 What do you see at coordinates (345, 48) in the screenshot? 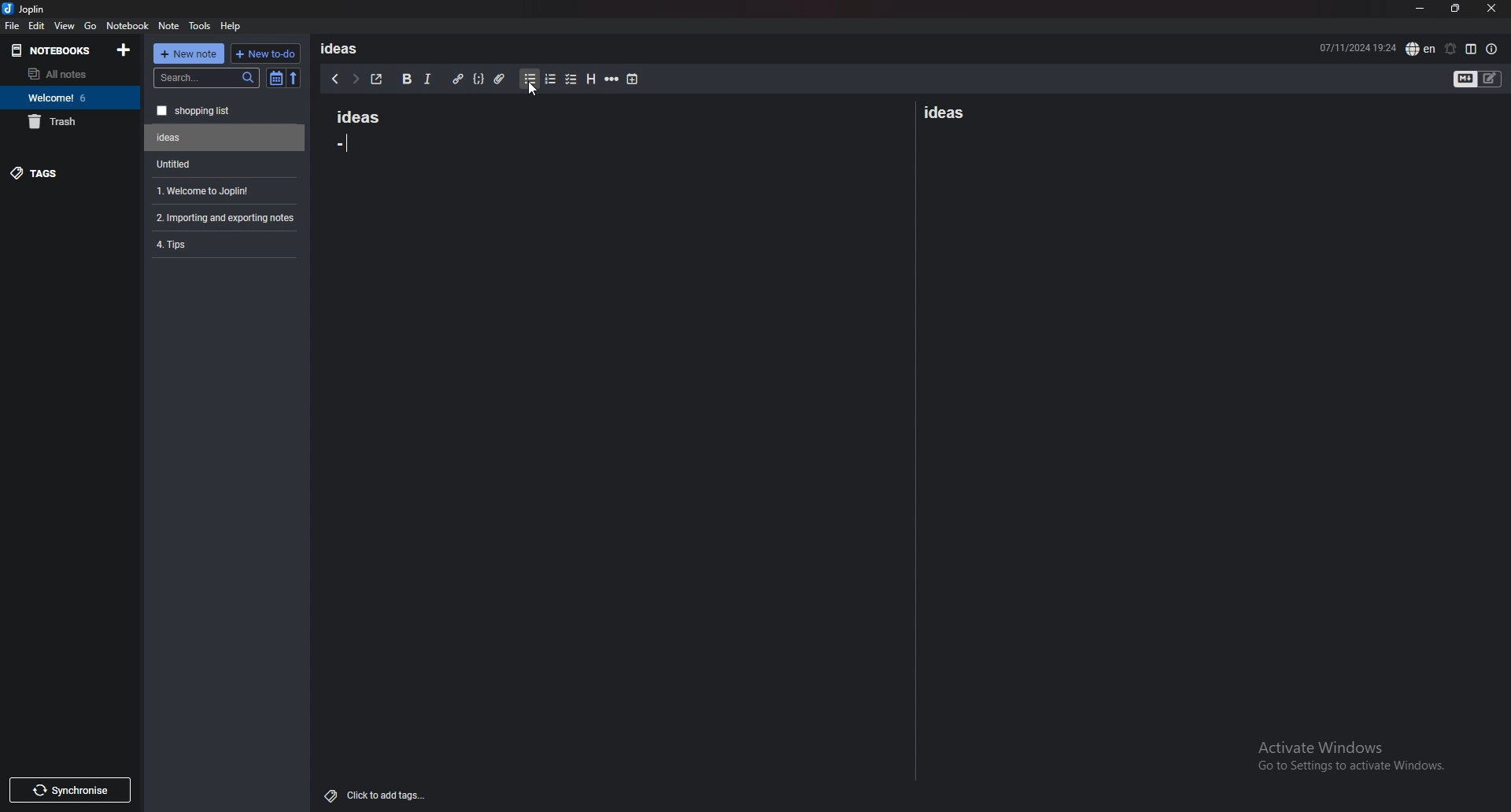
I see `ideas` at bounding box center [345, 48].